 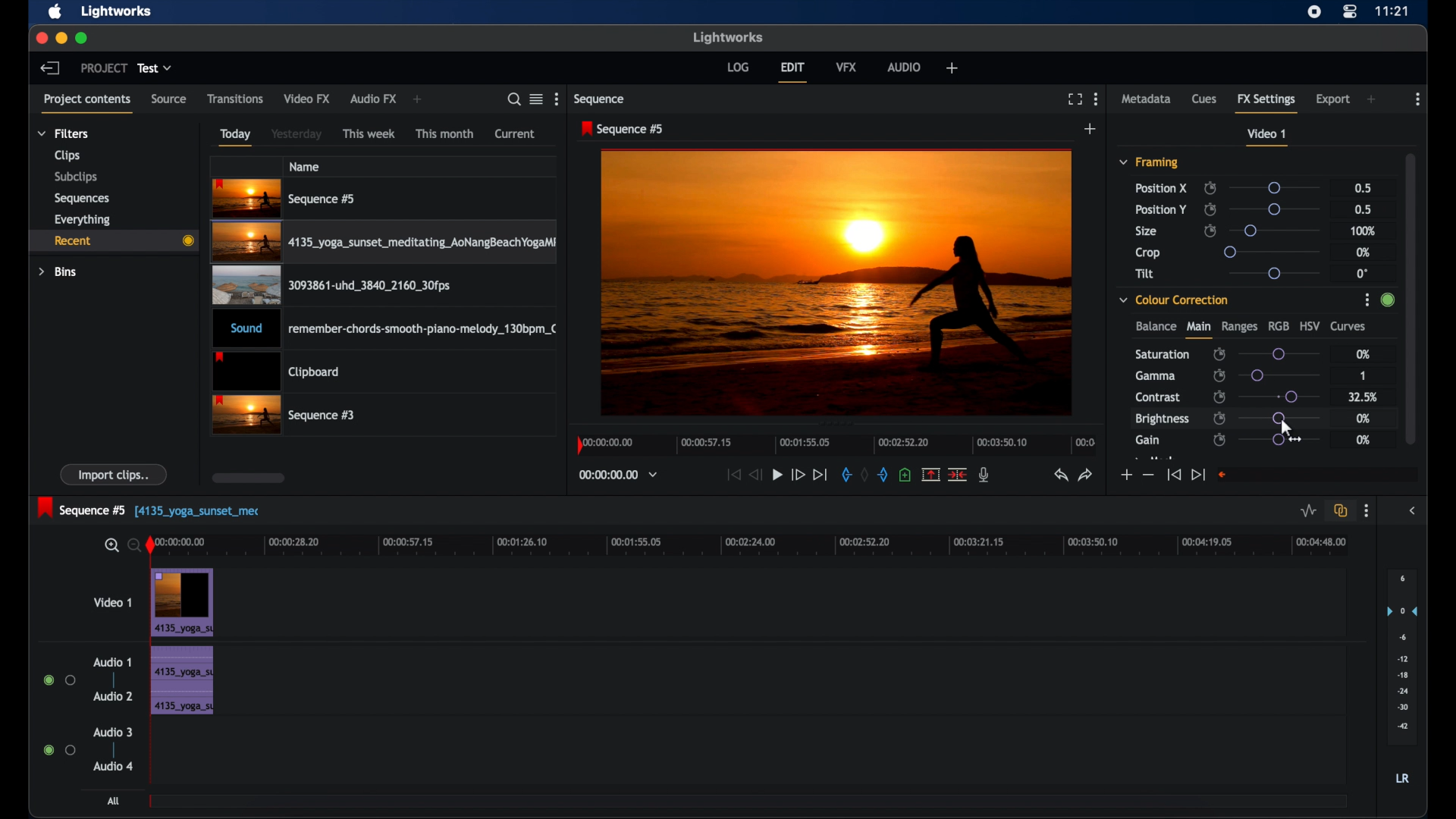 What do you see at coordinates (151, 546) in the screenshot?
I see `playhead` at bounding box center [151, 546].